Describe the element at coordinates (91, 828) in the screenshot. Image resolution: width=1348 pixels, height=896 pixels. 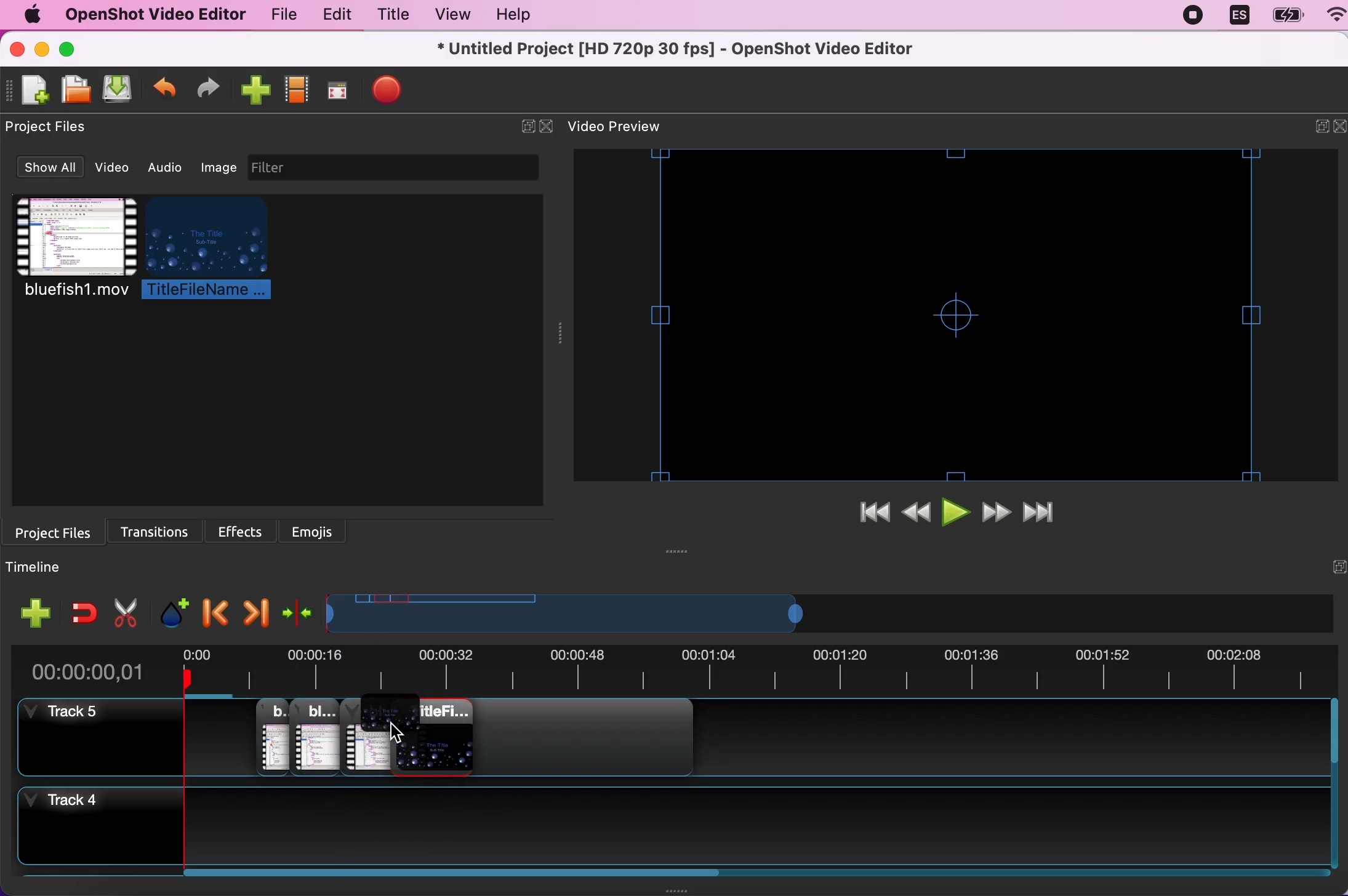
I see `track 4` at that location.